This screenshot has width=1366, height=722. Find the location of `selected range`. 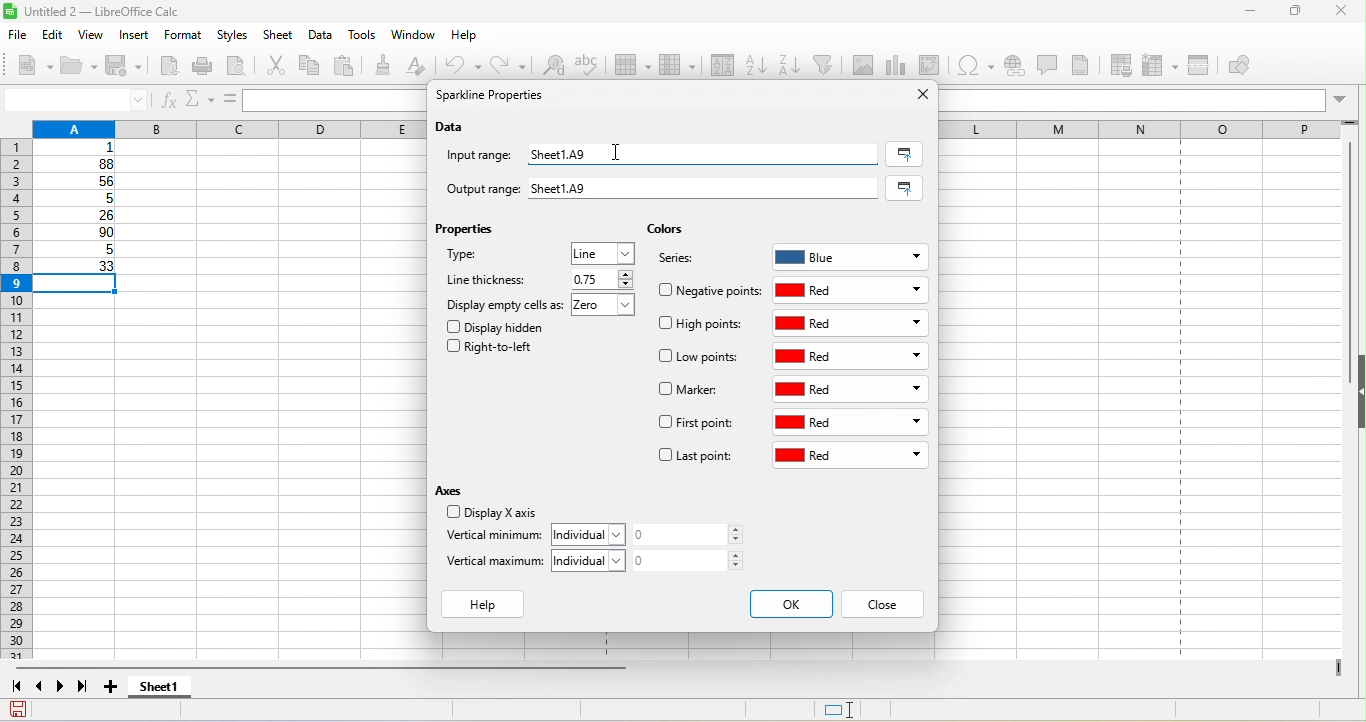

selected range is located at coordinates (904, 154).